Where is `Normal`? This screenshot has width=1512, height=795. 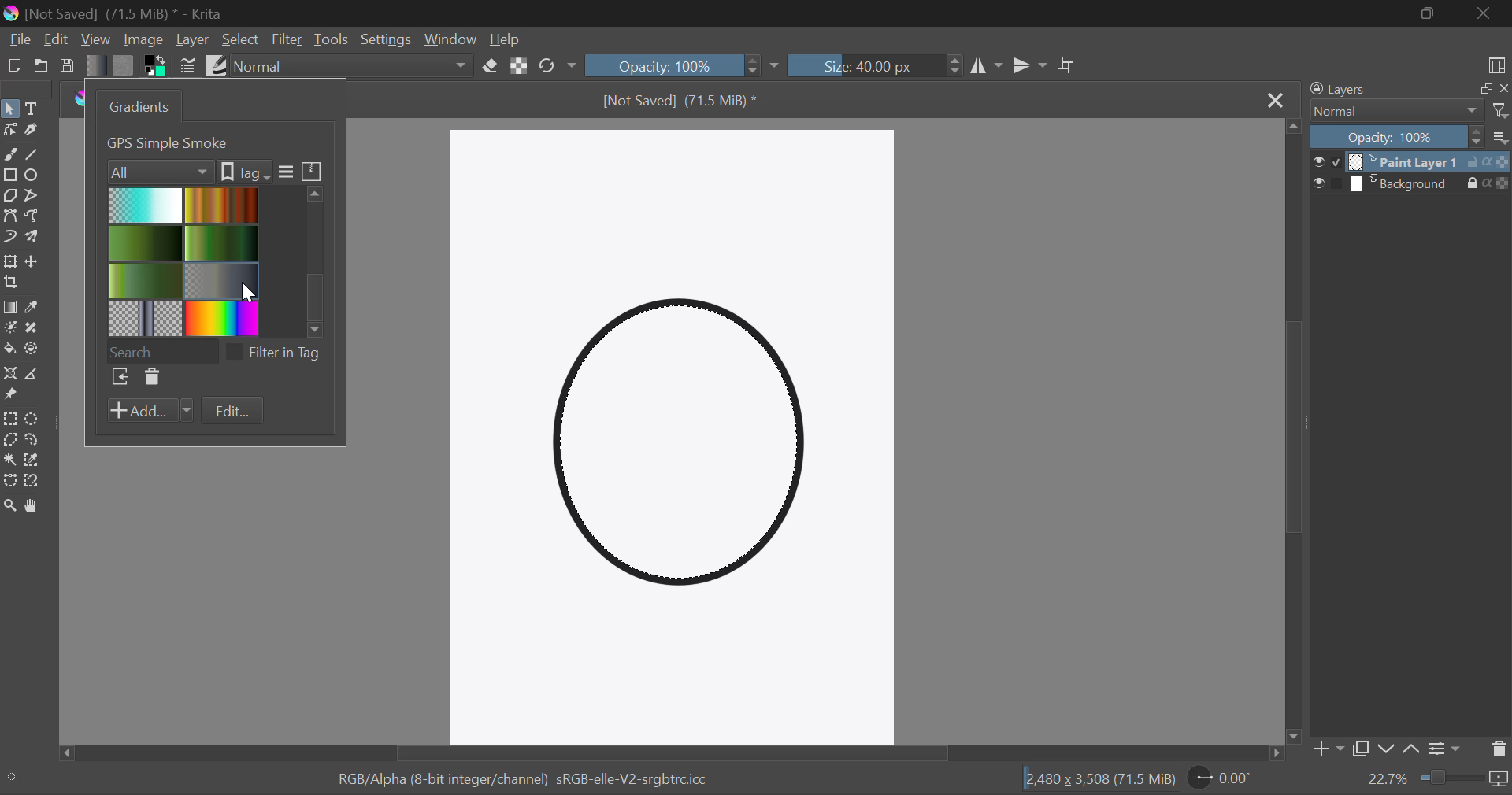 Normal is located at coordinates (1395, 112).